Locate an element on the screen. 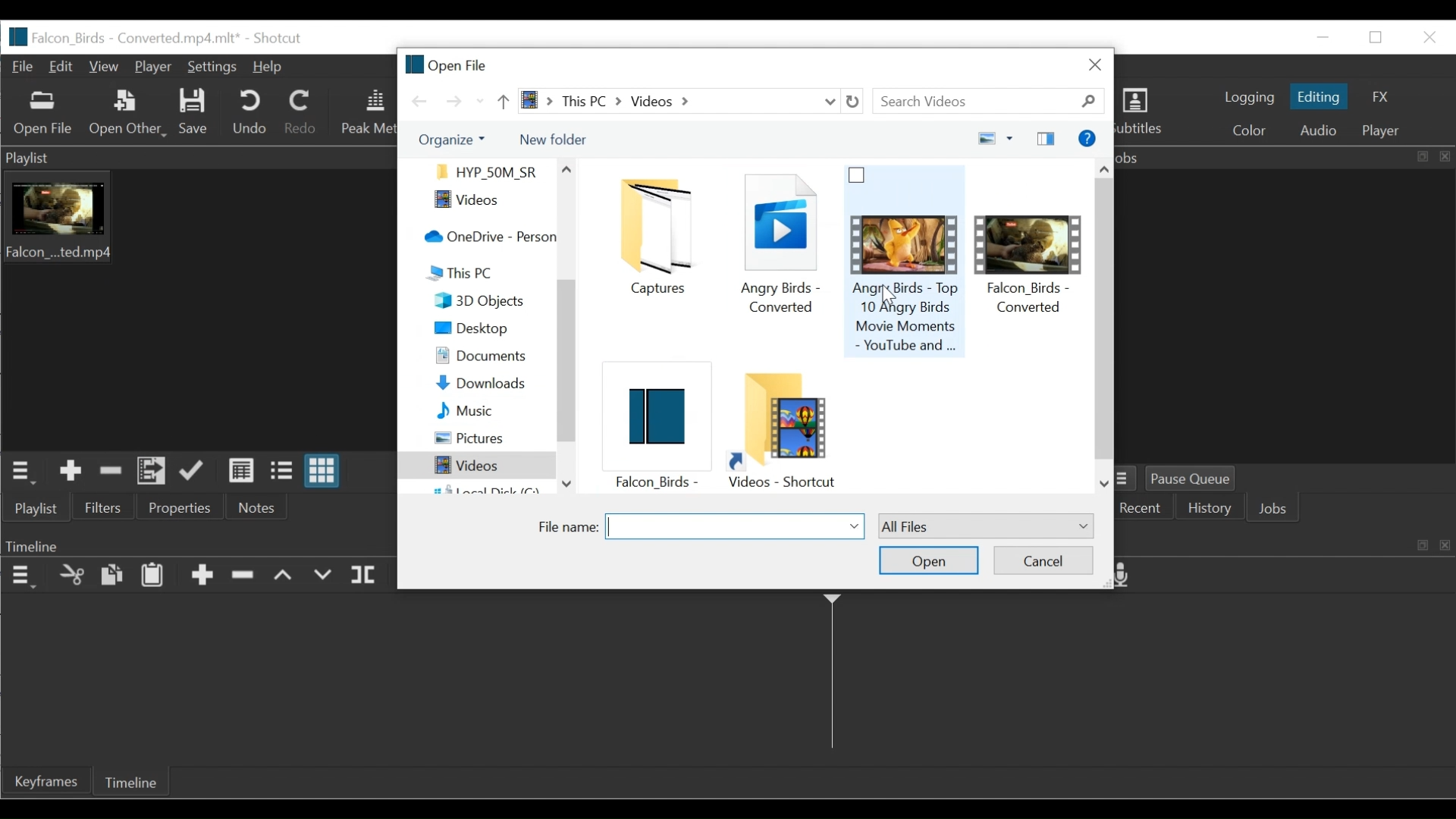 The height and width of the screenshot is (819, 1456). Scroll down is located at coordinates (1105, 485).